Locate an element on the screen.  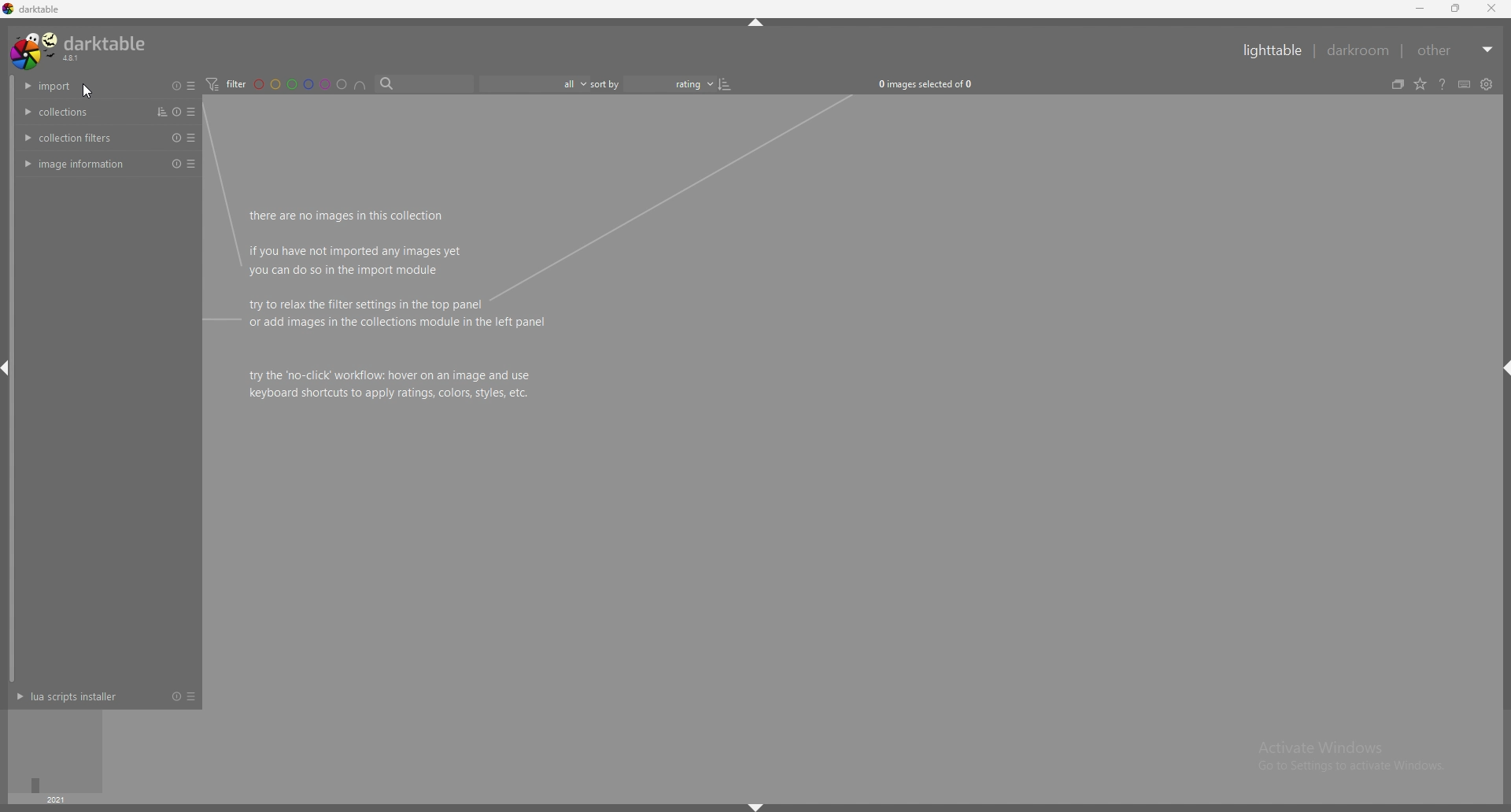
reset is located at coordinates (175, 696).